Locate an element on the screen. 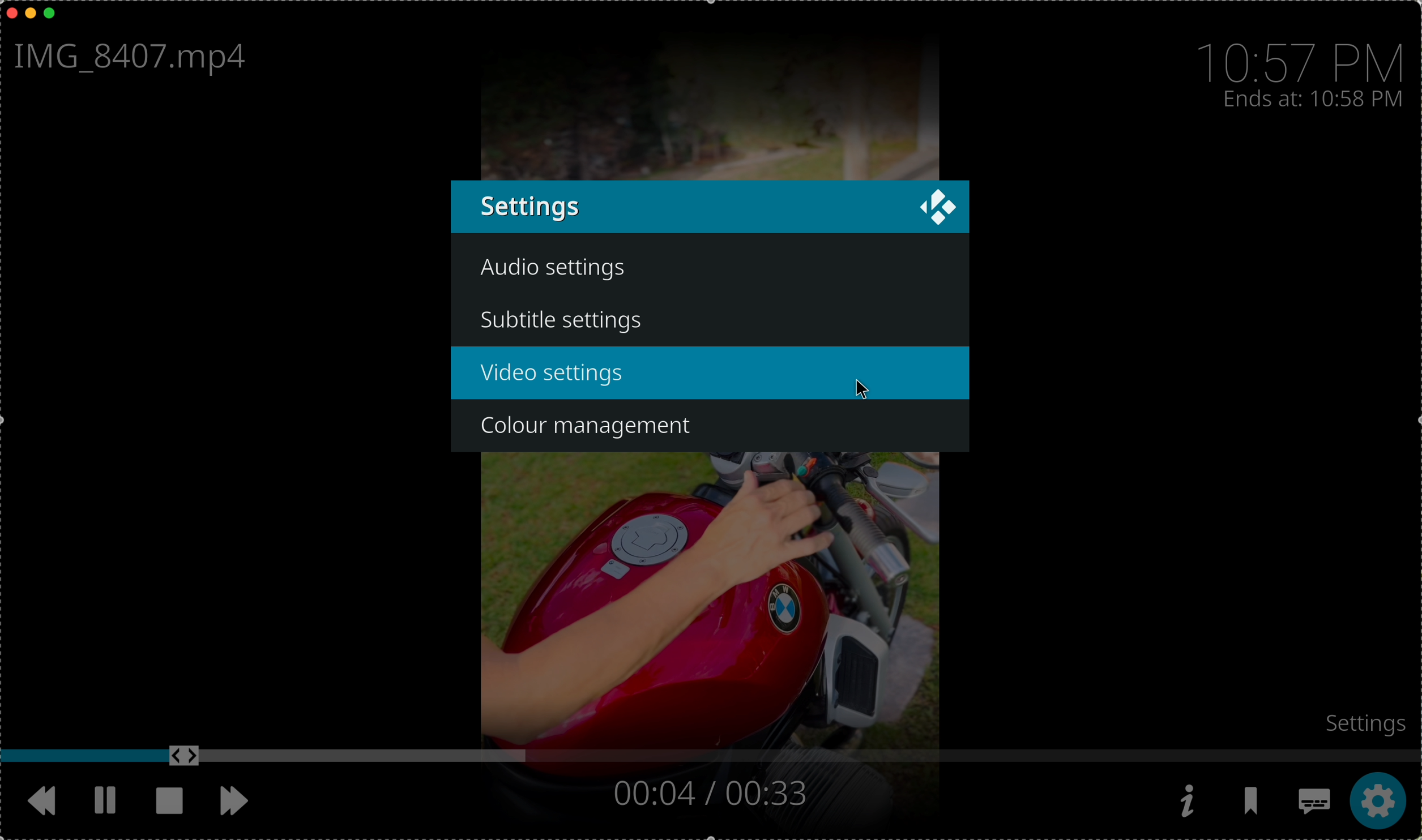 The height and width of the screenshot is (840, 1422). IMG_8407.mp4 is located at coordinates (136, 59).